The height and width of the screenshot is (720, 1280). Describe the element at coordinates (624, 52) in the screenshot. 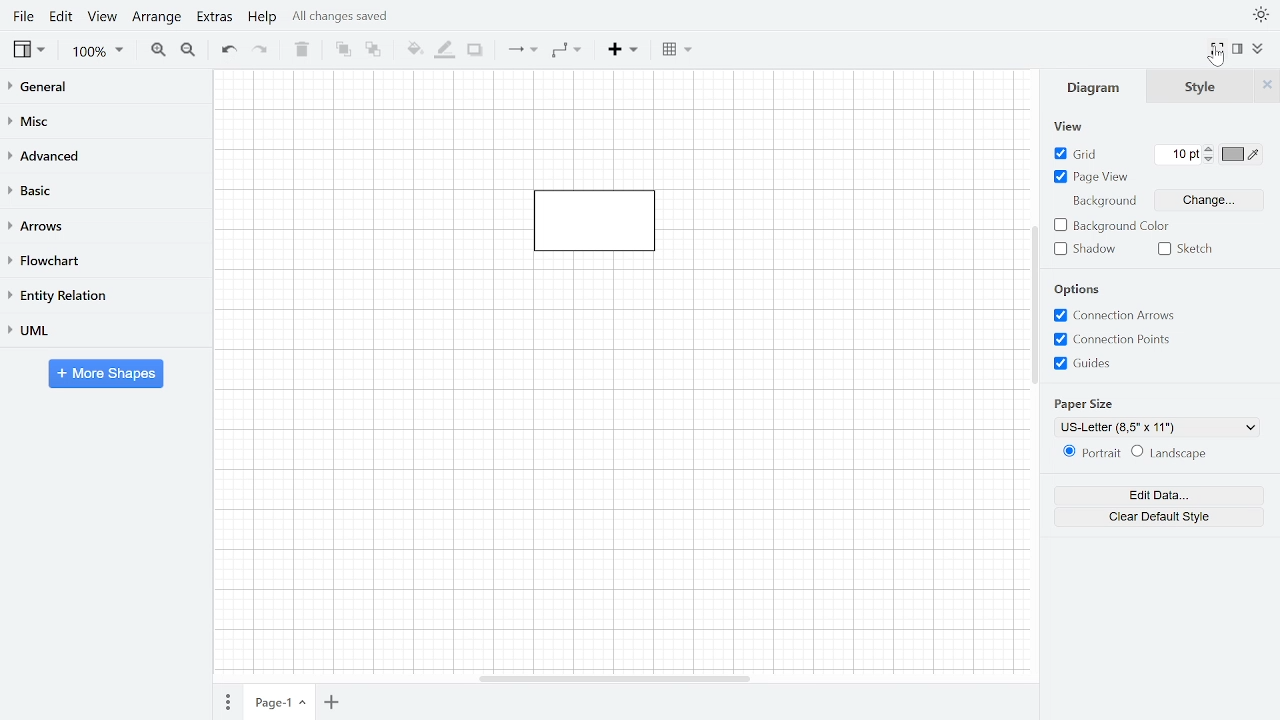

I see `Insert` at that location.